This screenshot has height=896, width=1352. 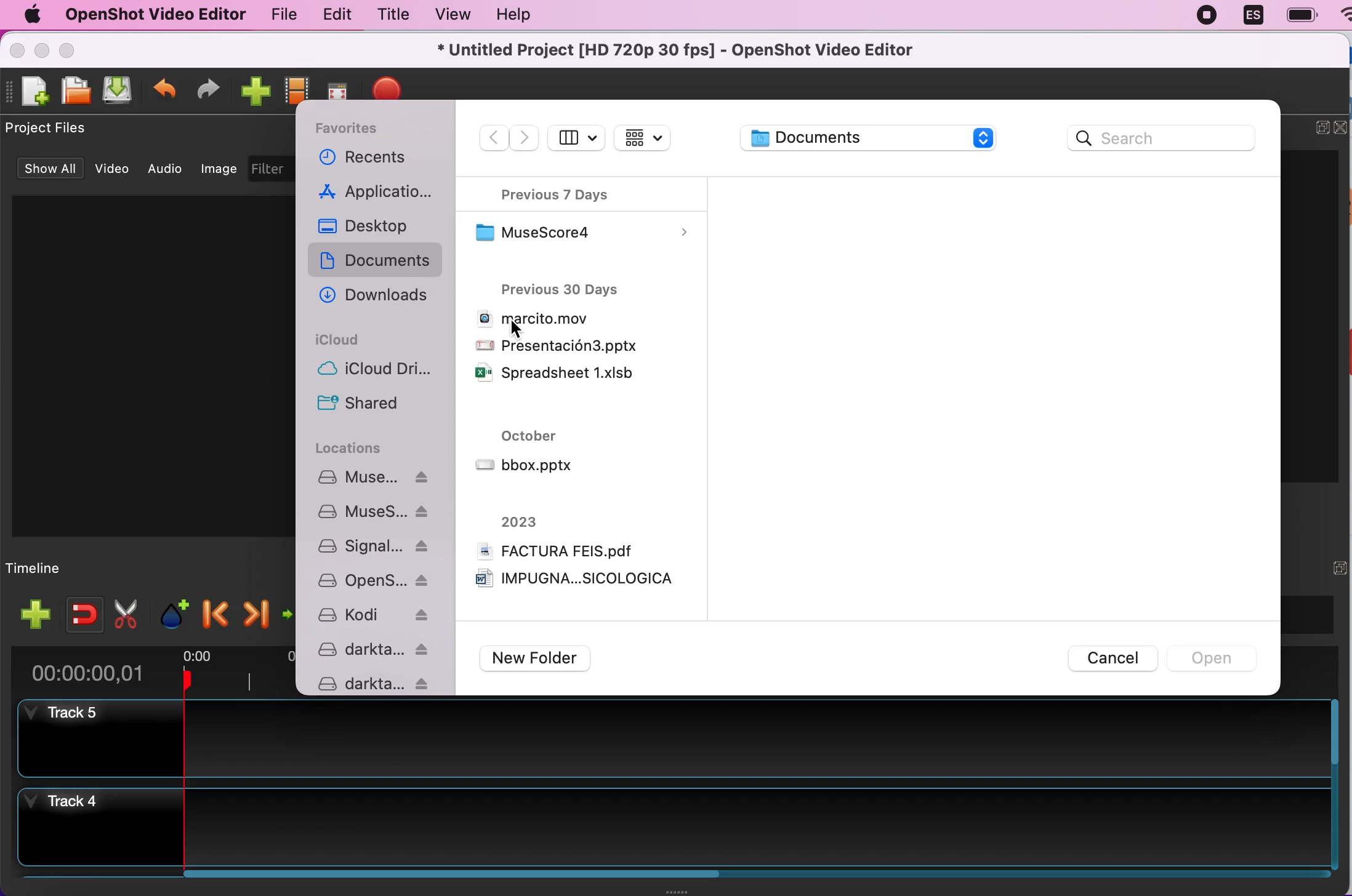 What do you see at coordinates (525, 466) in the screenshot?
I see `bbox.pptx` at bounding box center [525, 466].